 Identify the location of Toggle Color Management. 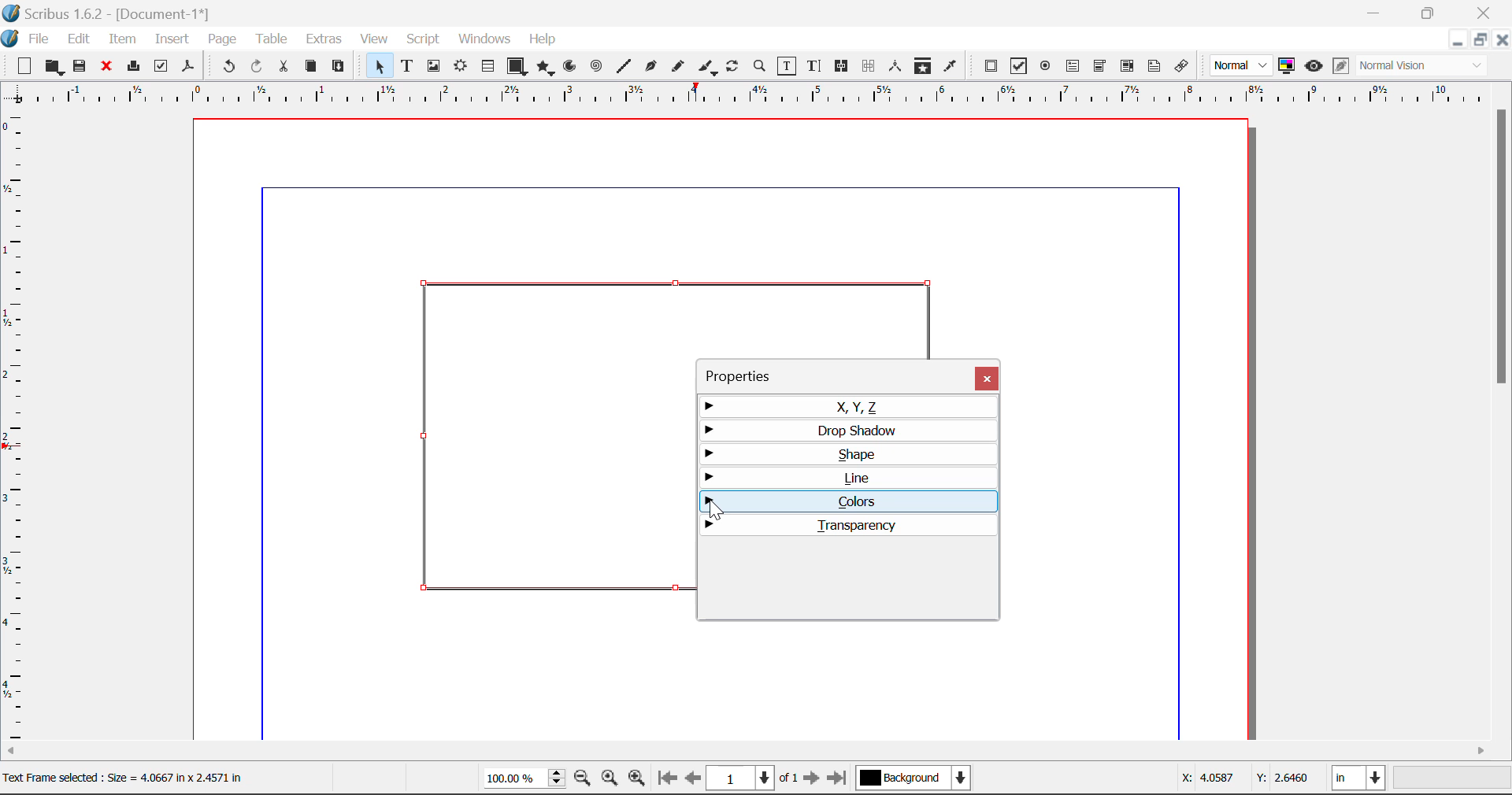
(1288, 67).